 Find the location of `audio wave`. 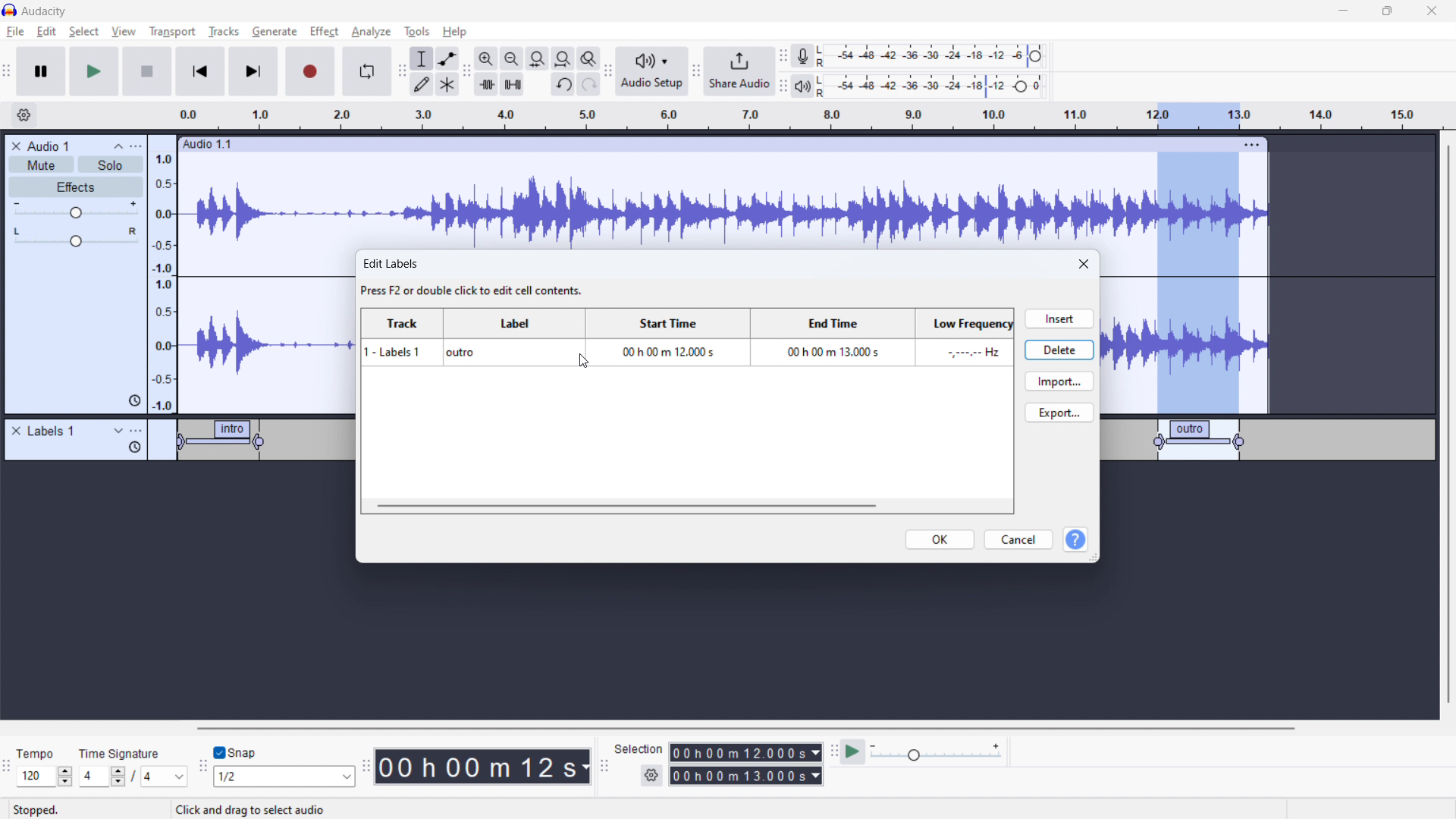

audio wave is located at coordinates (1185, 344).